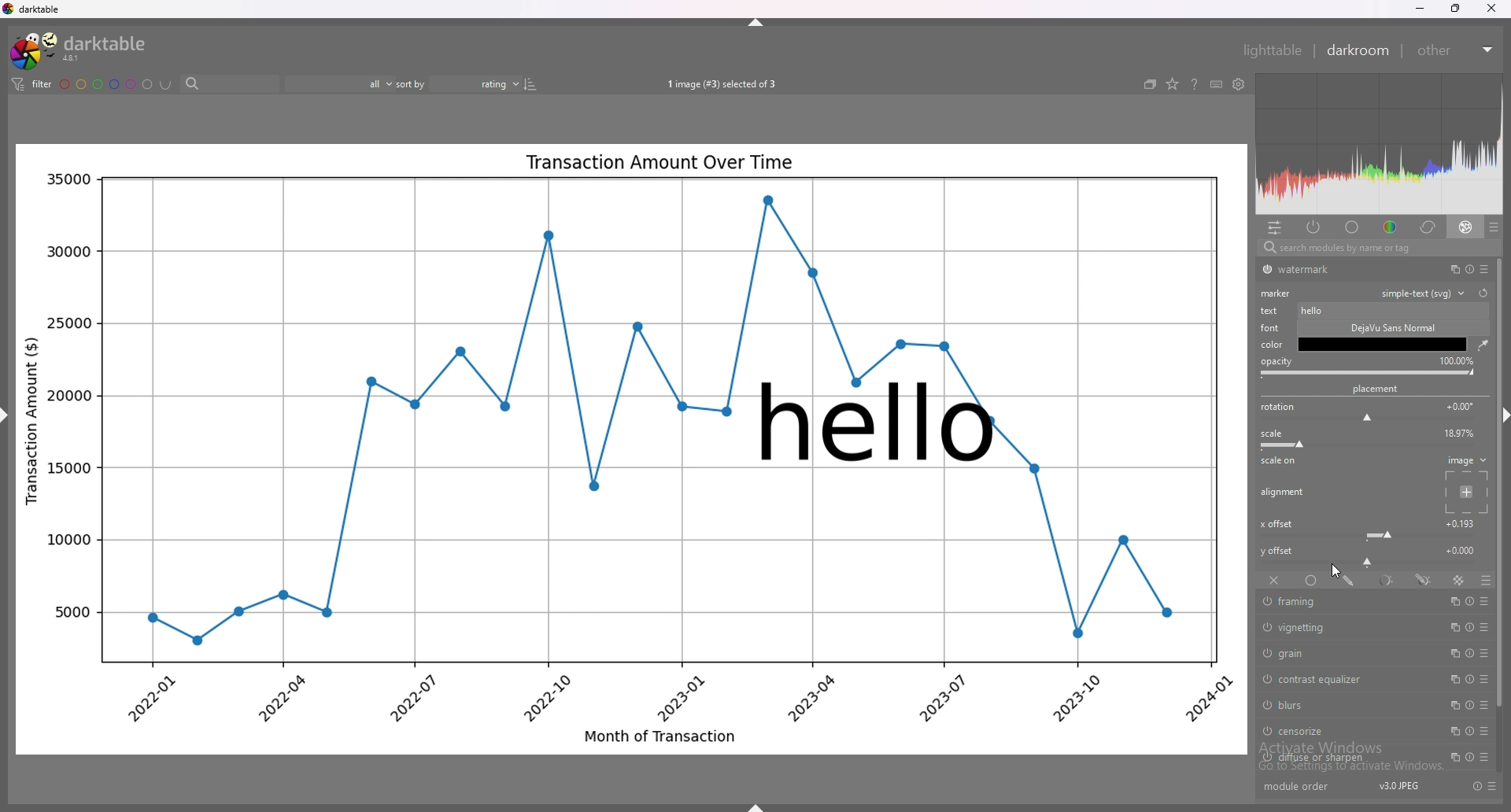 The height and width of the screenshot is (812, 1511). I want to click on raster mask, so click(1459, 580).